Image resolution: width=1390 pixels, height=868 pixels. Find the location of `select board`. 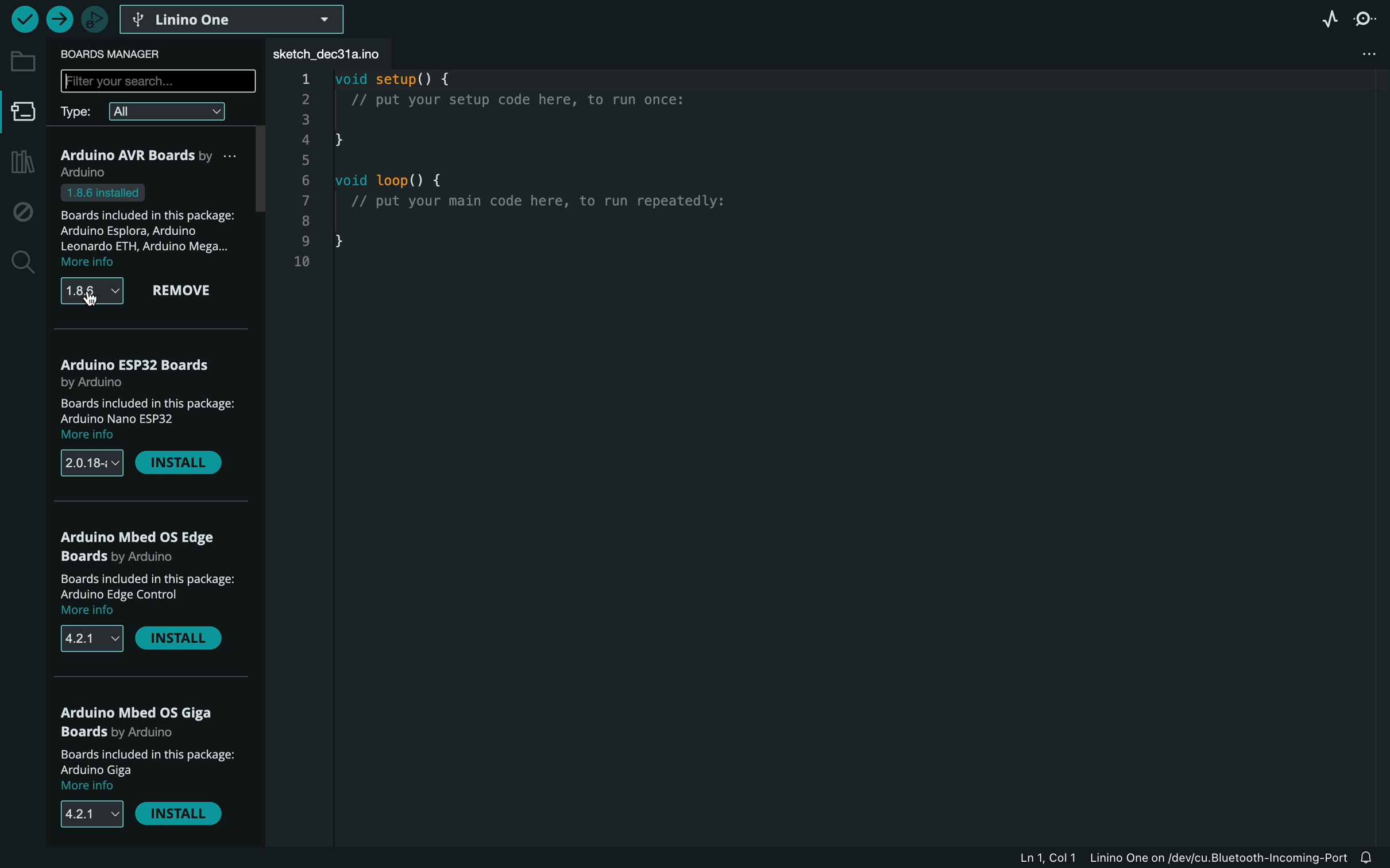

select board is located at coordinates (234, 18).